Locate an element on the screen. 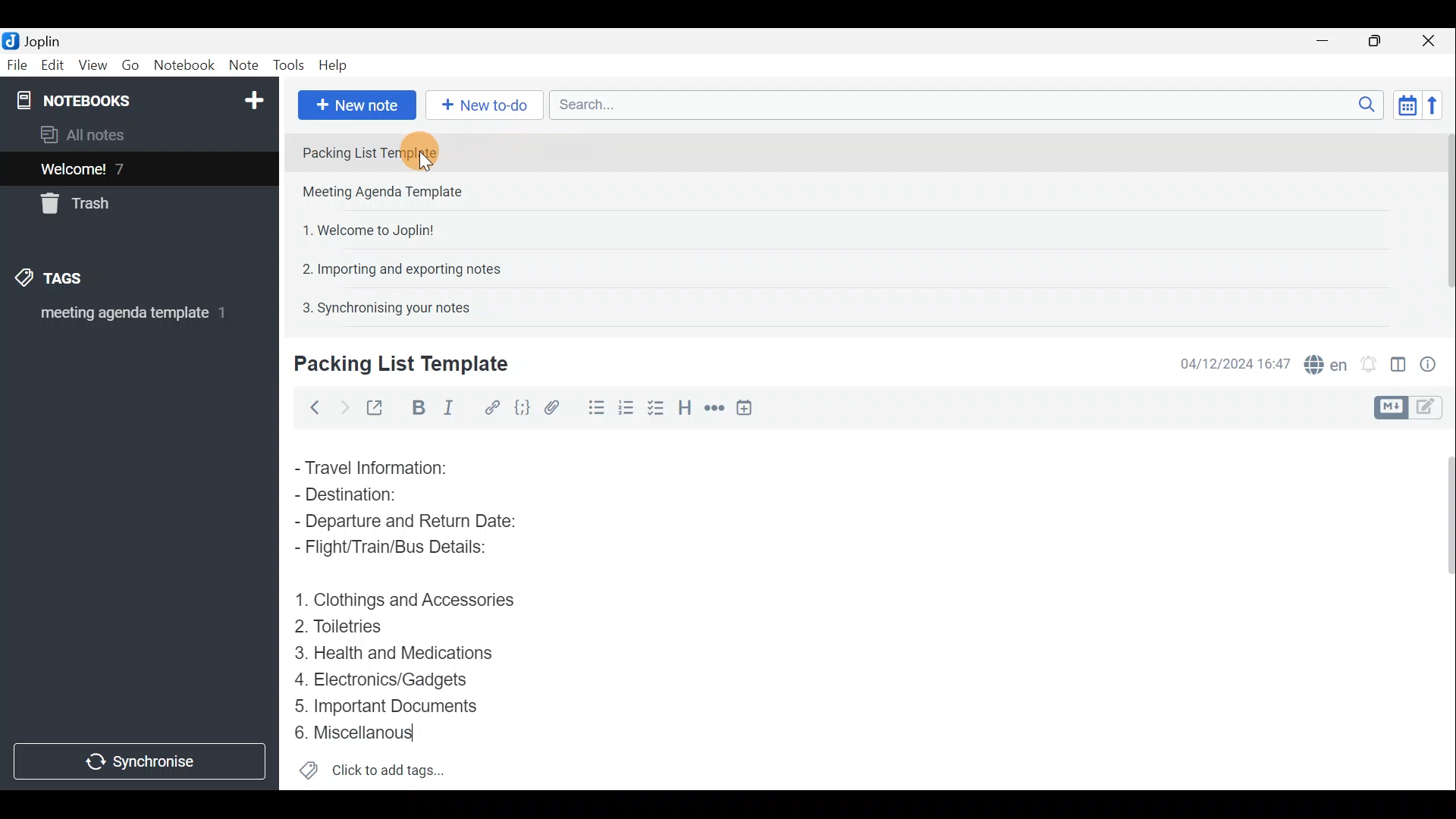 The height and width of the screenshot is (819, 1456). Heading is located at coordinates (686, 406).